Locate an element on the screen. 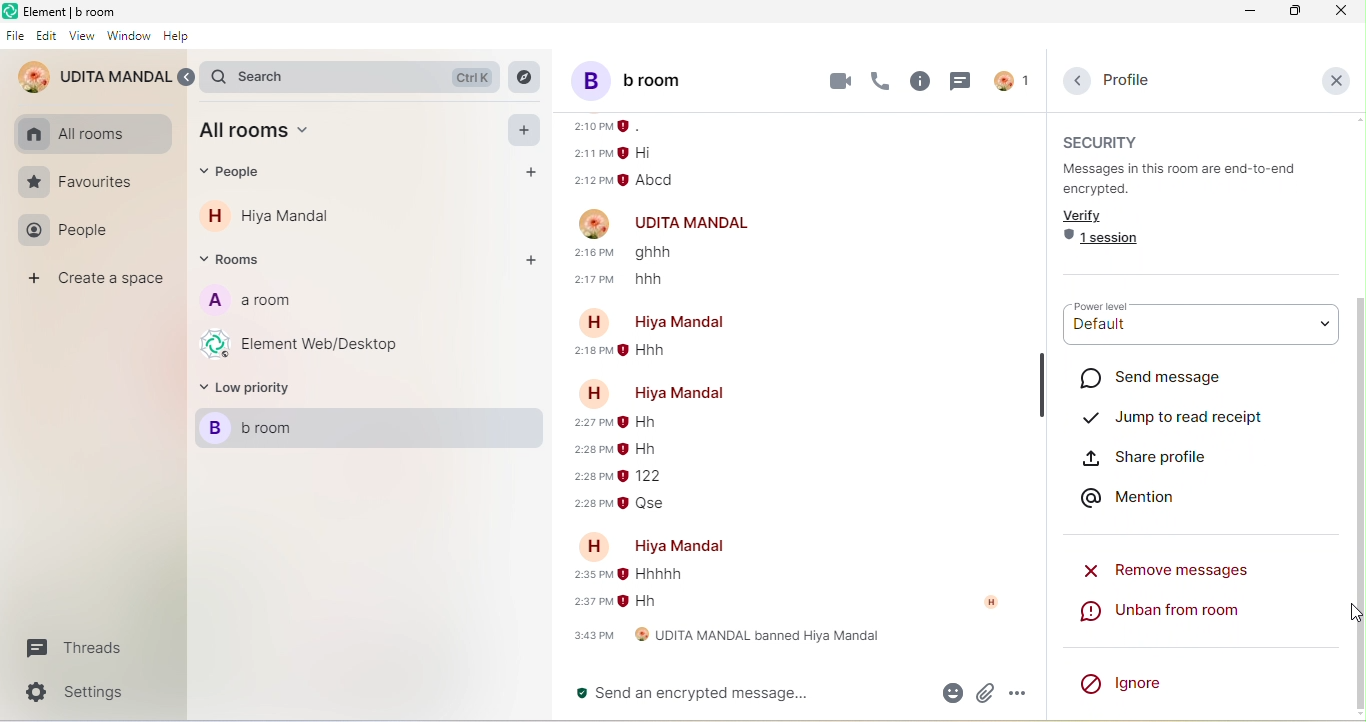 The image size is (1366, 722). help is located at coordinates (175, 37).